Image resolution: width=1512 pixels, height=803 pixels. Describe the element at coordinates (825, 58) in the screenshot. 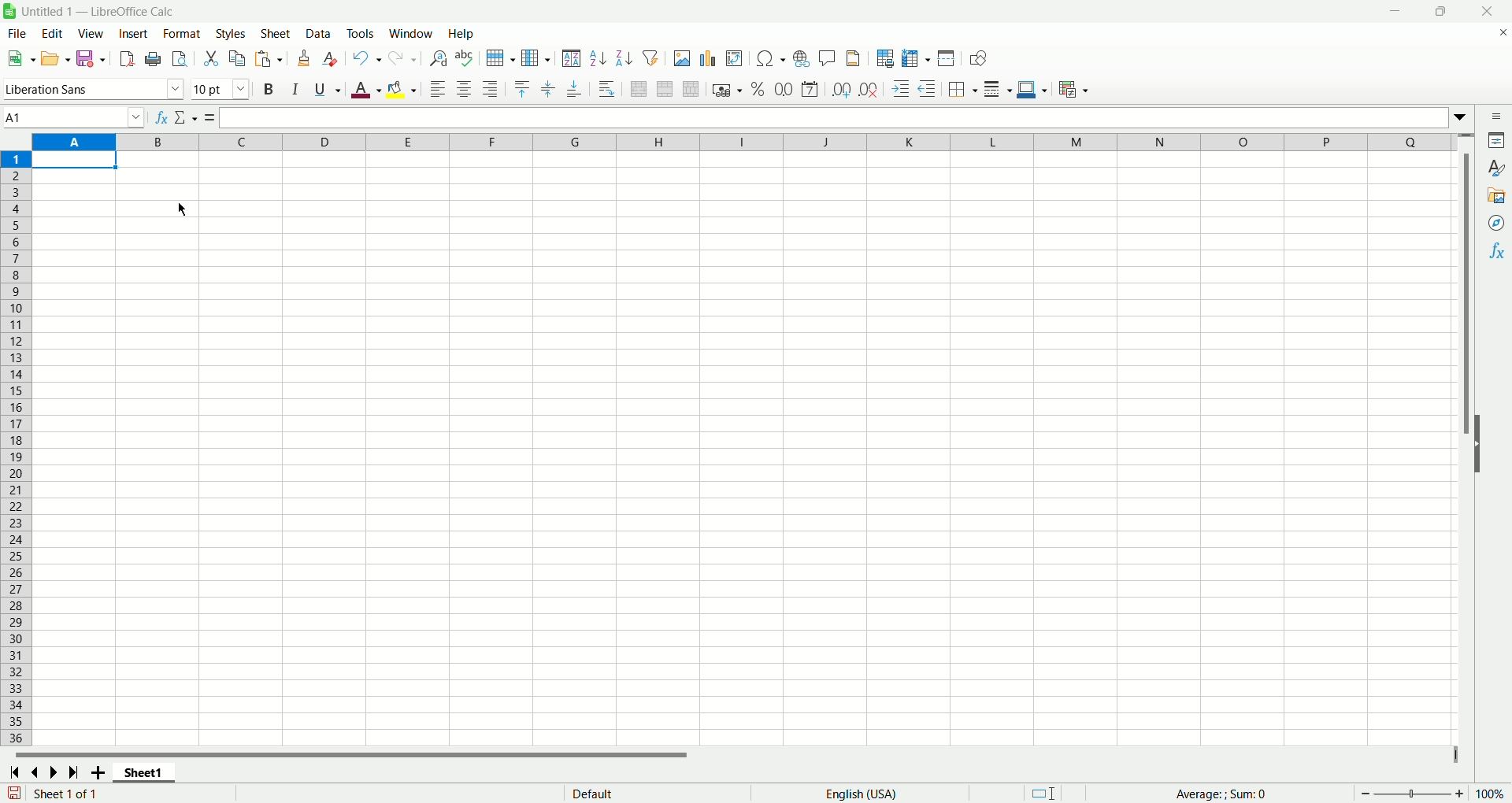

I see `insert comment` at that location.